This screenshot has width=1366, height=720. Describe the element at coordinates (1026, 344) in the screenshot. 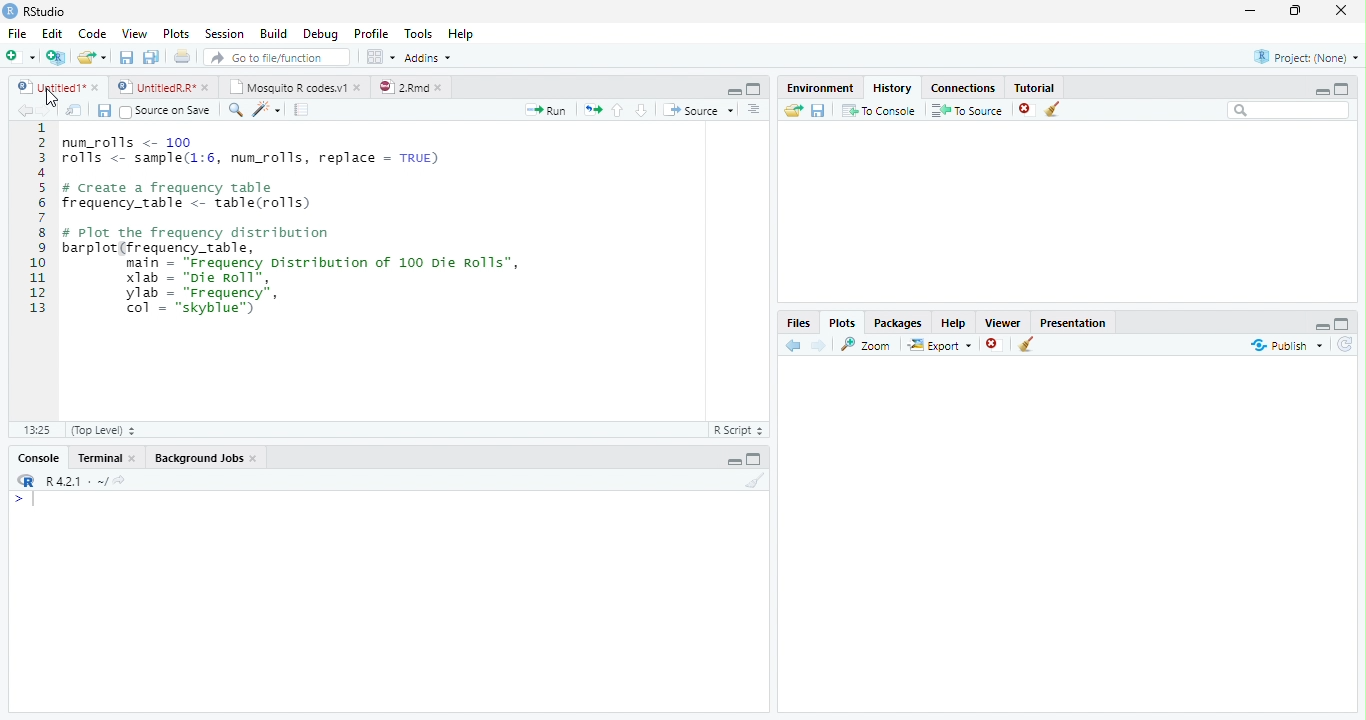

I see `Clear` at that location.